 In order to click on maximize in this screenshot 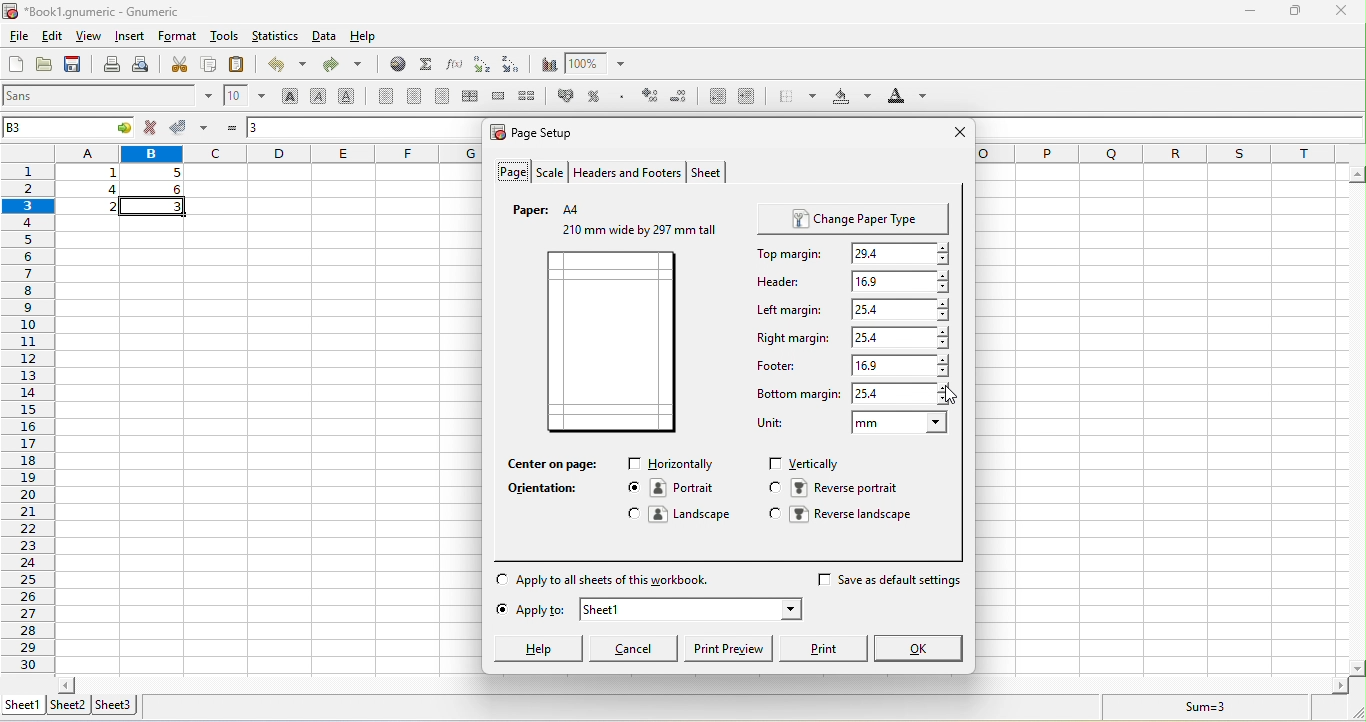, I will do `click(1290, 11)`.